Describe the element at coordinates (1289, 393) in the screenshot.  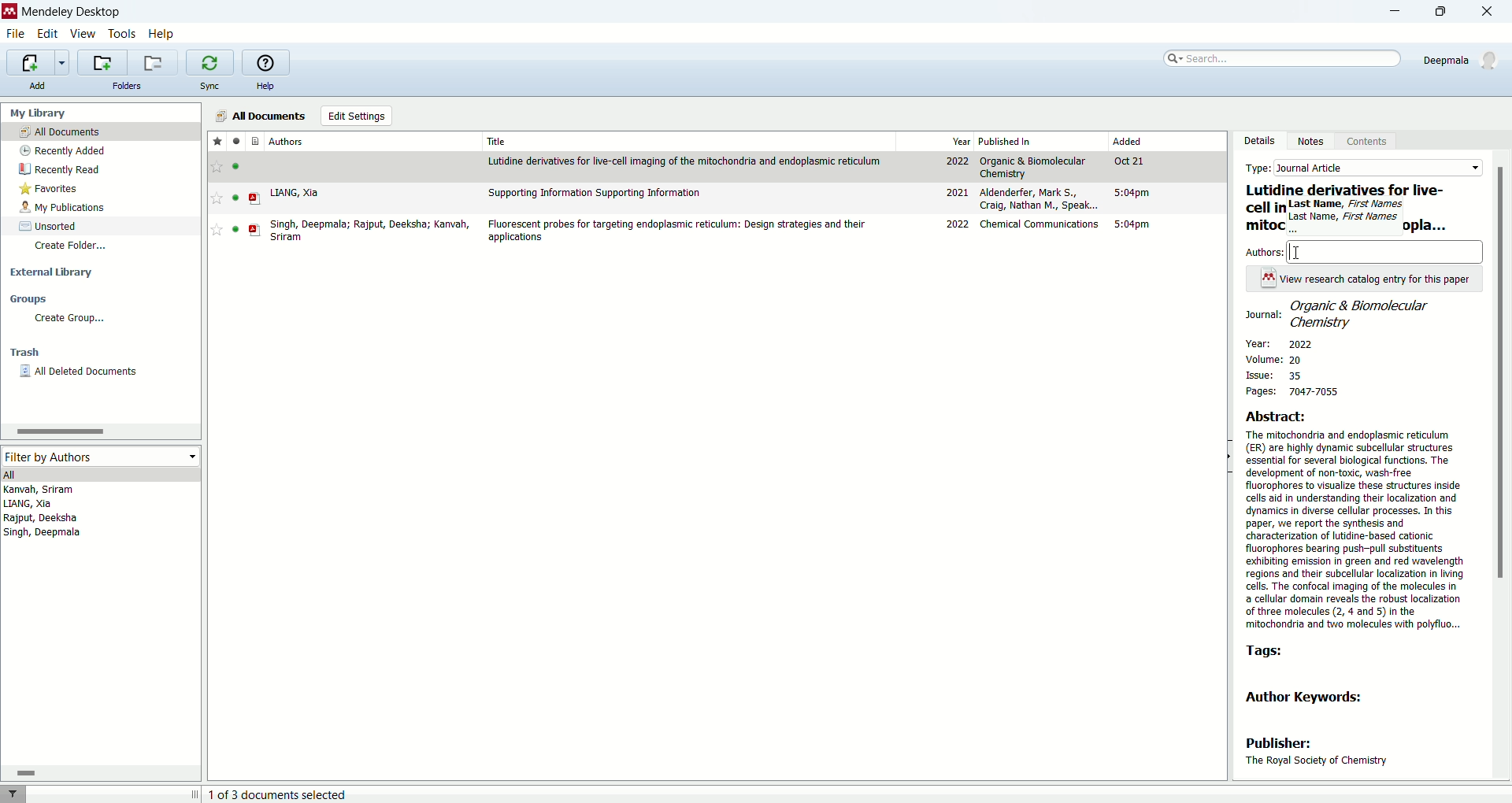
I see `pages: 7047-7055` at that location.